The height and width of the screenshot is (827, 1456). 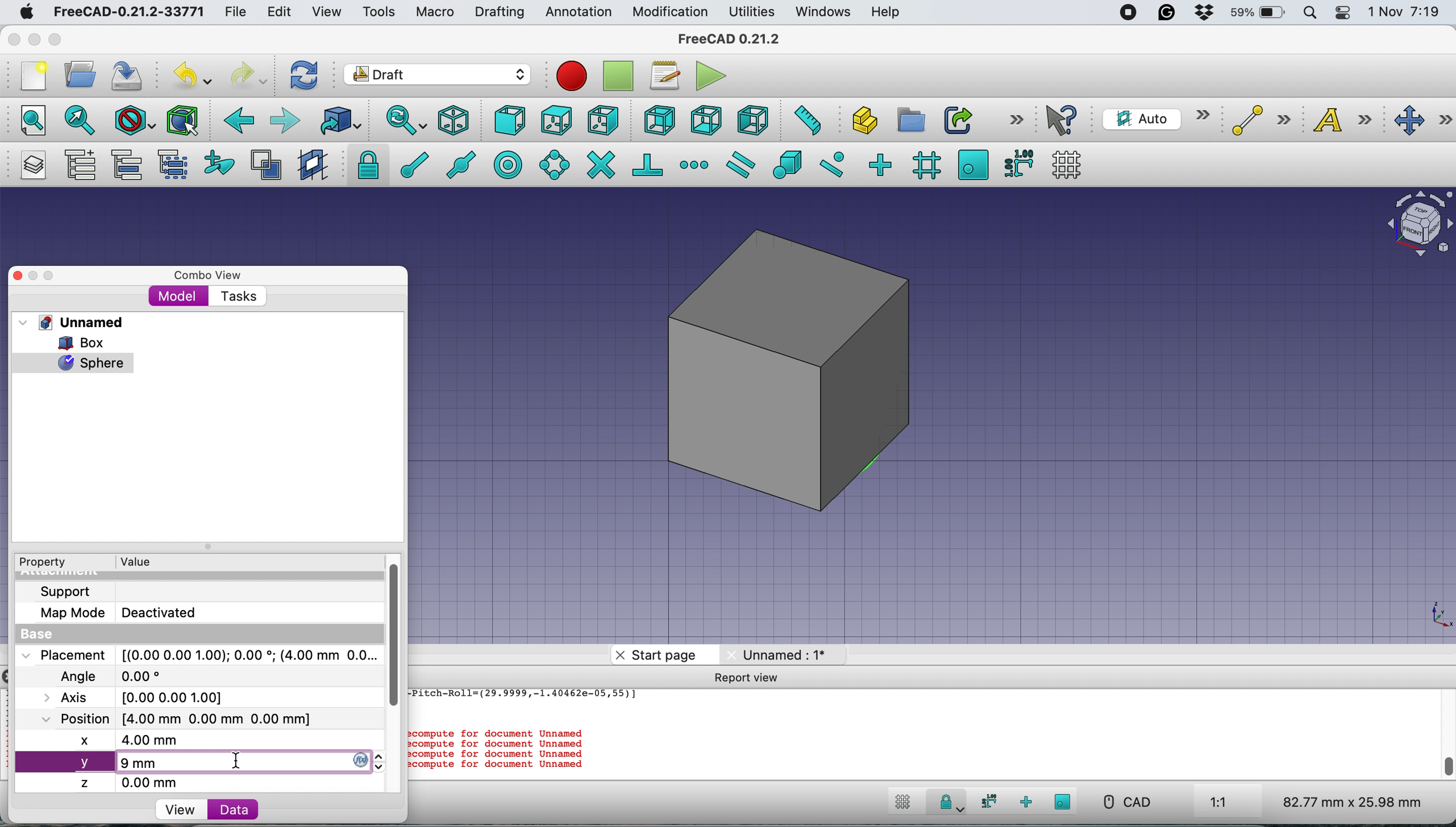 I want to click on create group, so click(x=909, y=120).